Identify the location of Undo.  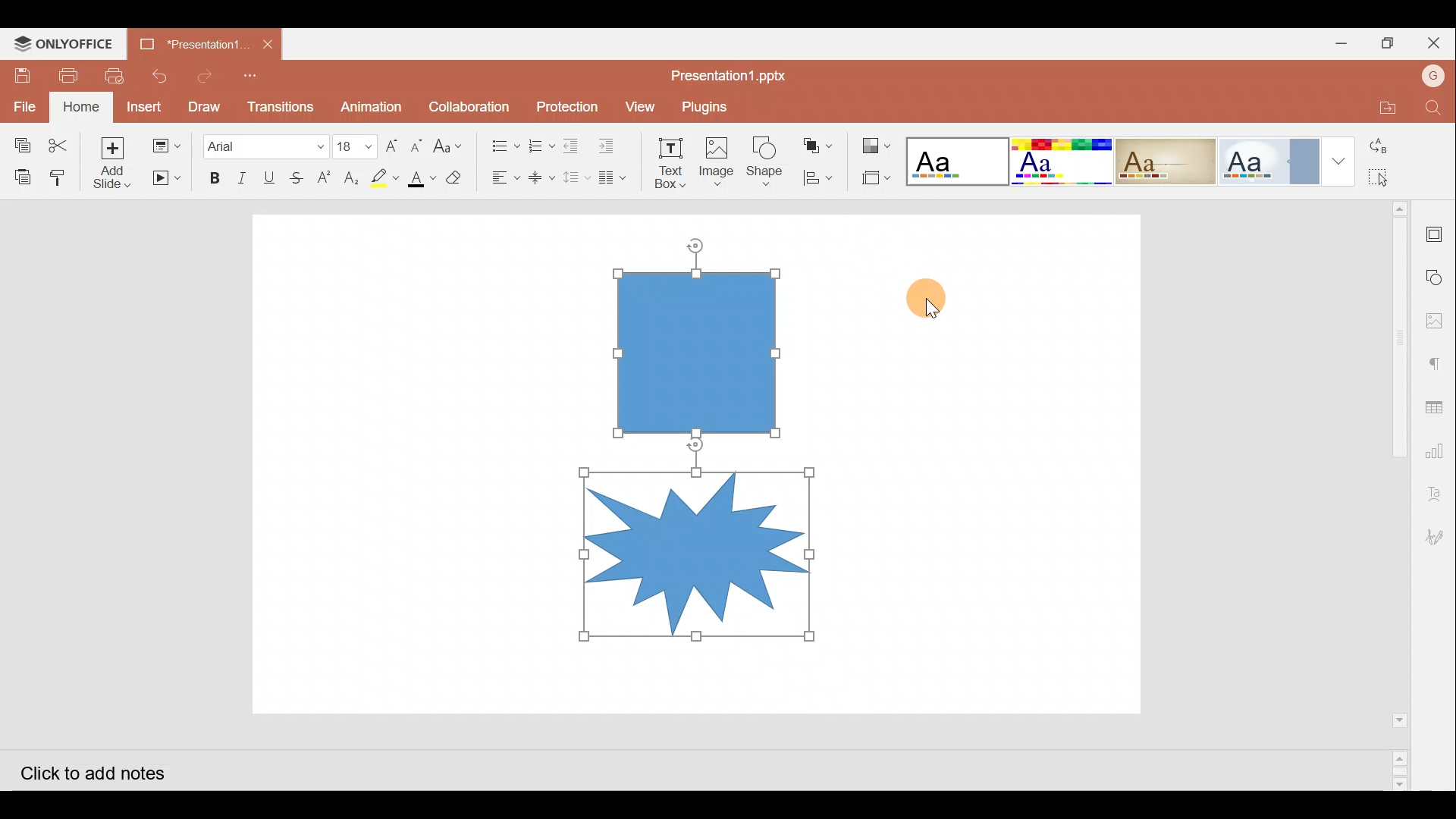
(158, 76).